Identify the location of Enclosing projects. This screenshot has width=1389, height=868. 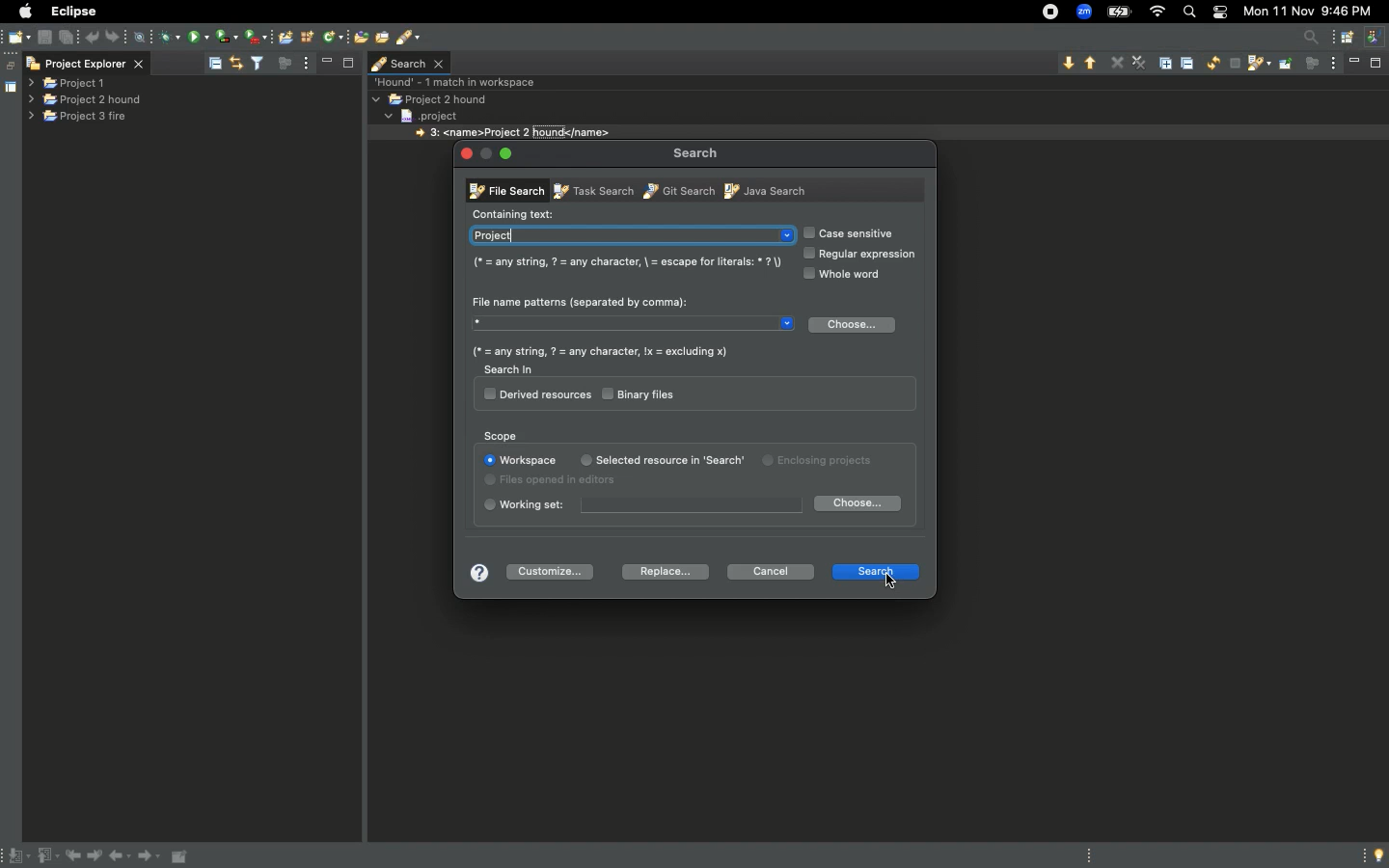
(771, 463).